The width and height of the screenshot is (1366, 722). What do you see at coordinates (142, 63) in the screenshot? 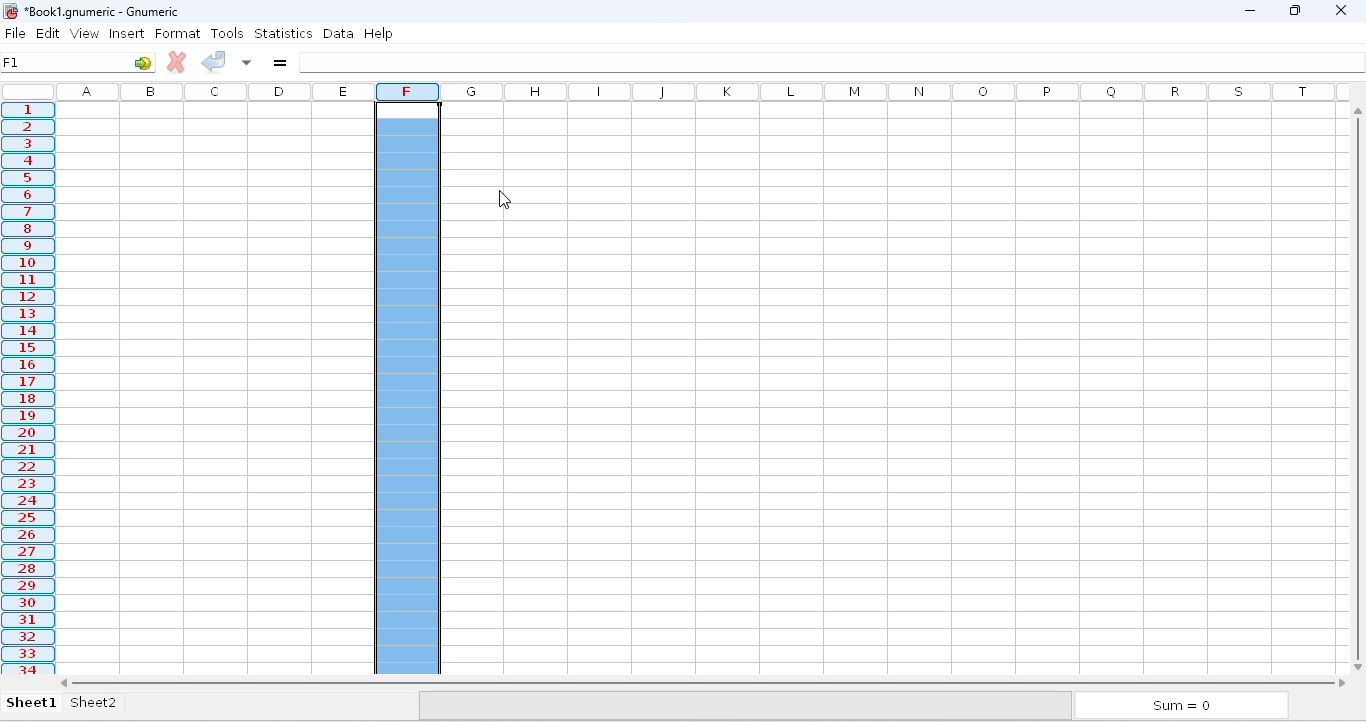
I see `go to` at bounding box center [142, 63].